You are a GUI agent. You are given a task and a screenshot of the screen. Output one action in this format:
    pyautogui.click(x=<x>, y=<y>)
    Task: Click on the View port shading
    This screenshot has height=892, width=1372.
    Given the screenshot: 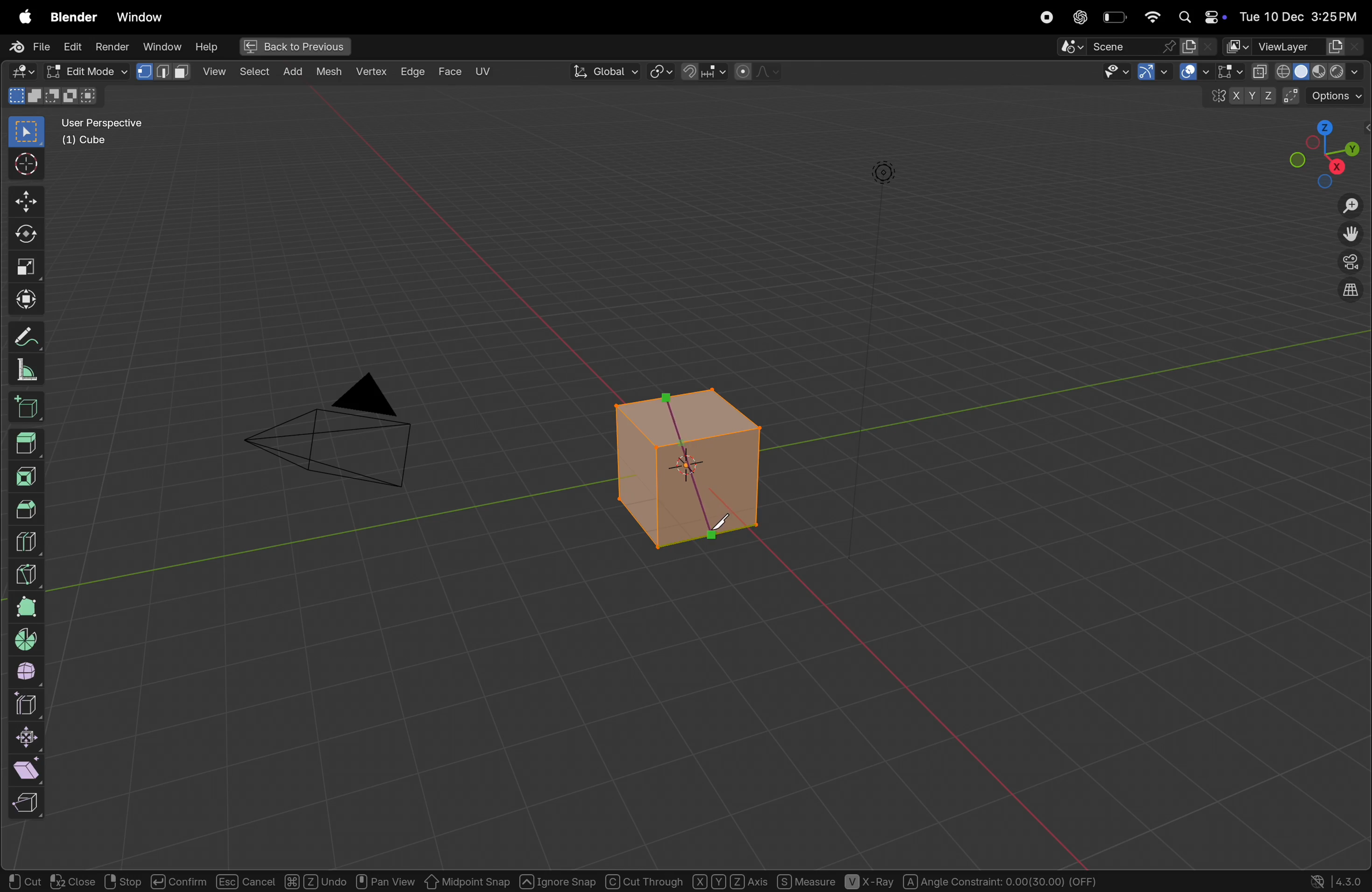 What is the action you would take?
    pyautogui.click(x=1307, y=71)
    